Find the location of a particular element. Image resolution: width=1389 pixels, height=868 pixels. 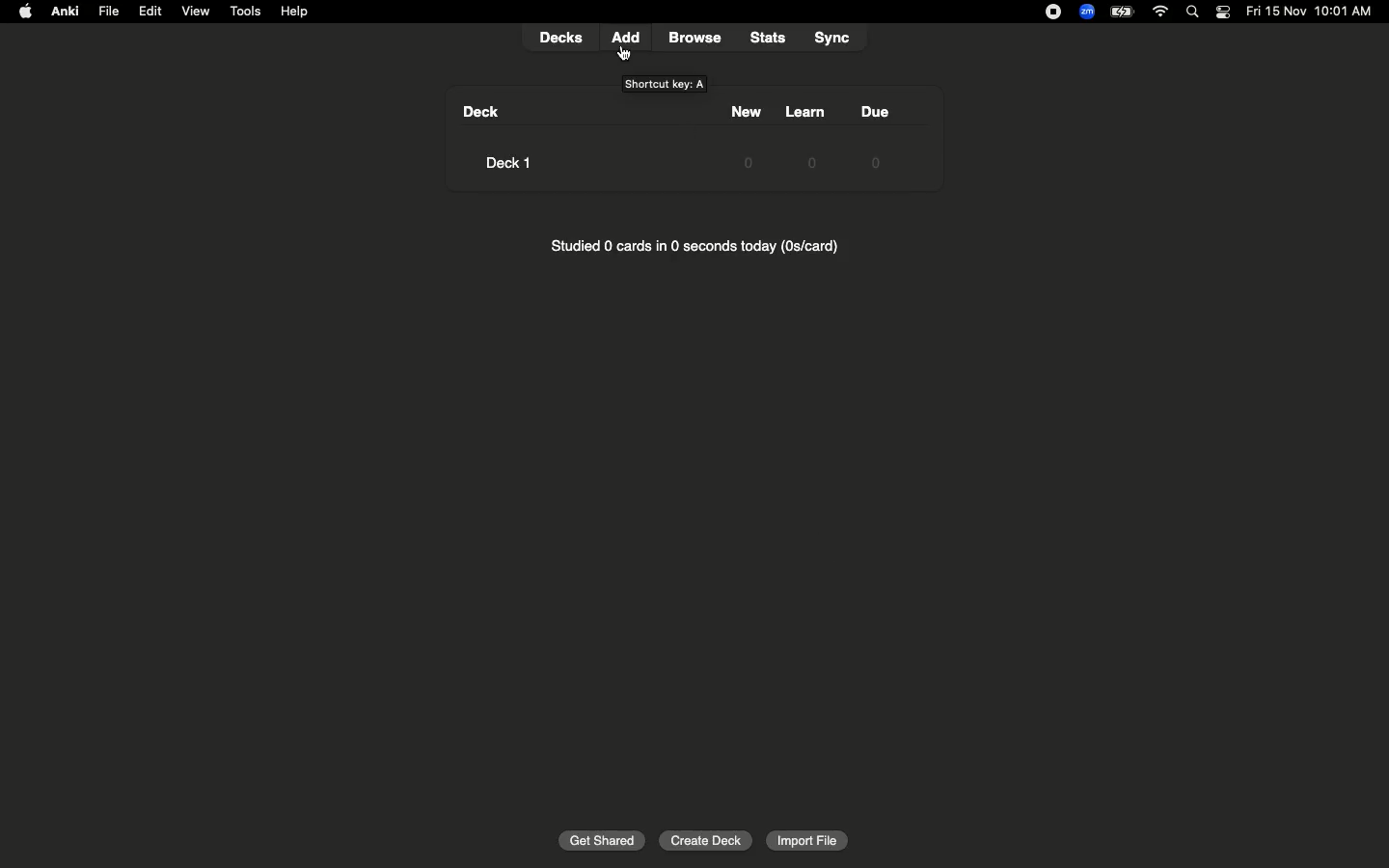

Create deck is located at coordinates (706, 839).